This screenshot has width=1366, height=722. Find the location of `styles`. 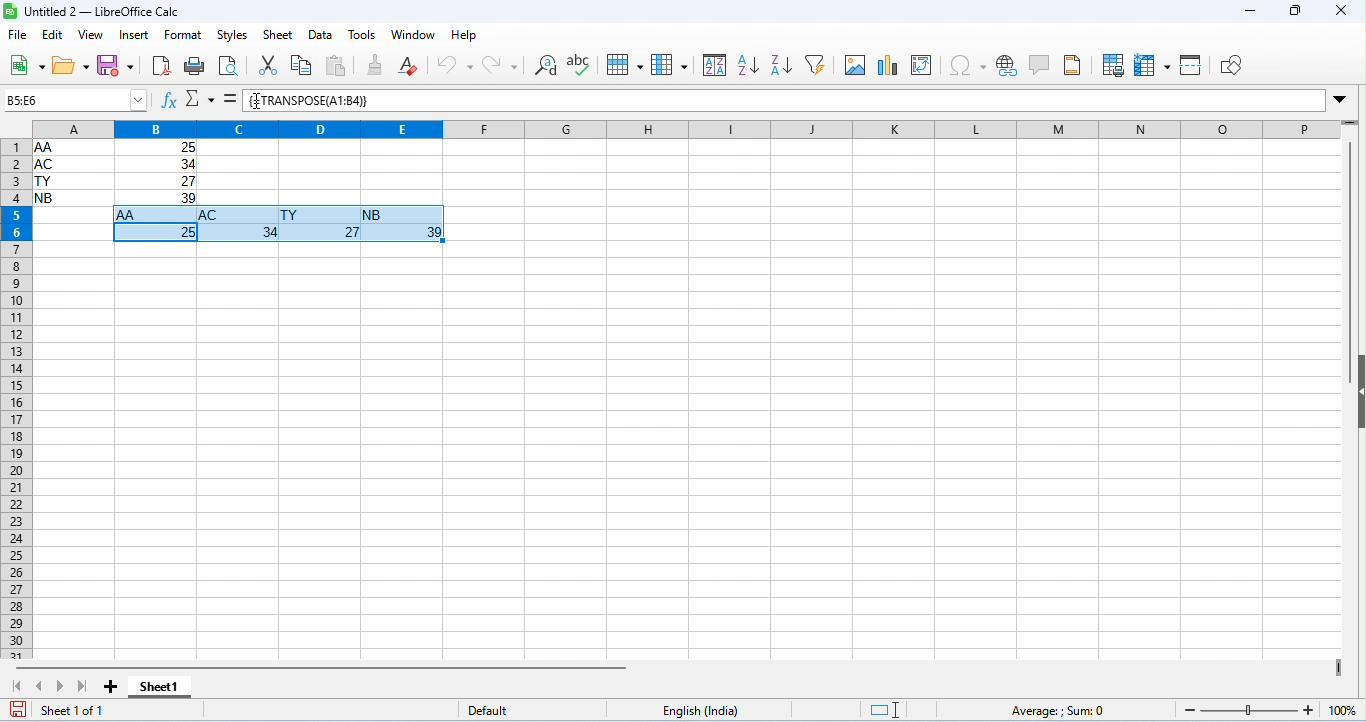

styles is located at coordinates (234, 36).